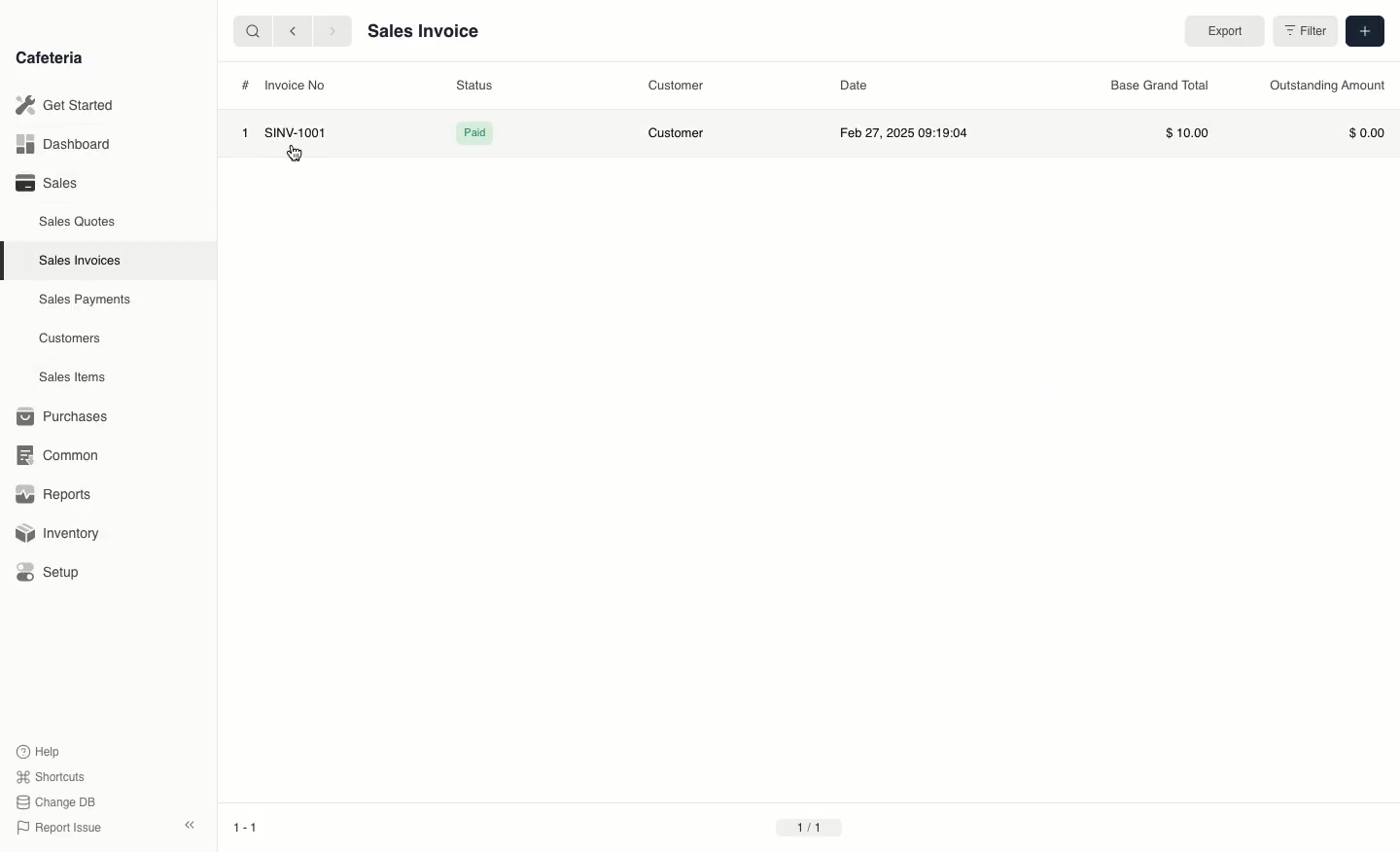 This screenshot has width=1400, height=852. I want to click on Customer, so click(677, 86).